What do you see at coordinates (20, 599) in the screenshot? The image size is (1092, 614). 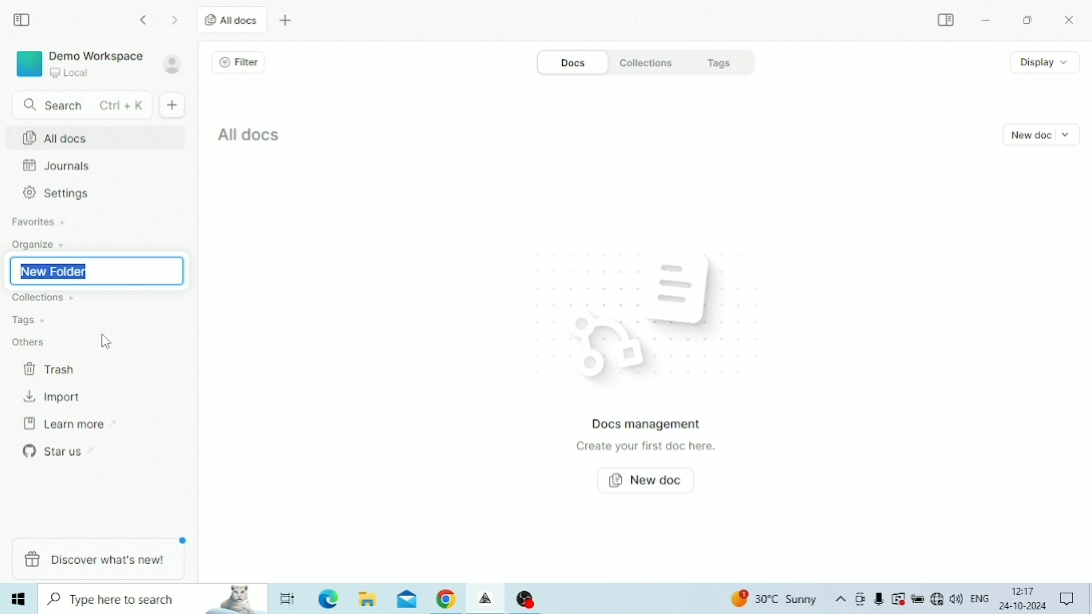 I see `Windows` at bounding box center [20, 599].